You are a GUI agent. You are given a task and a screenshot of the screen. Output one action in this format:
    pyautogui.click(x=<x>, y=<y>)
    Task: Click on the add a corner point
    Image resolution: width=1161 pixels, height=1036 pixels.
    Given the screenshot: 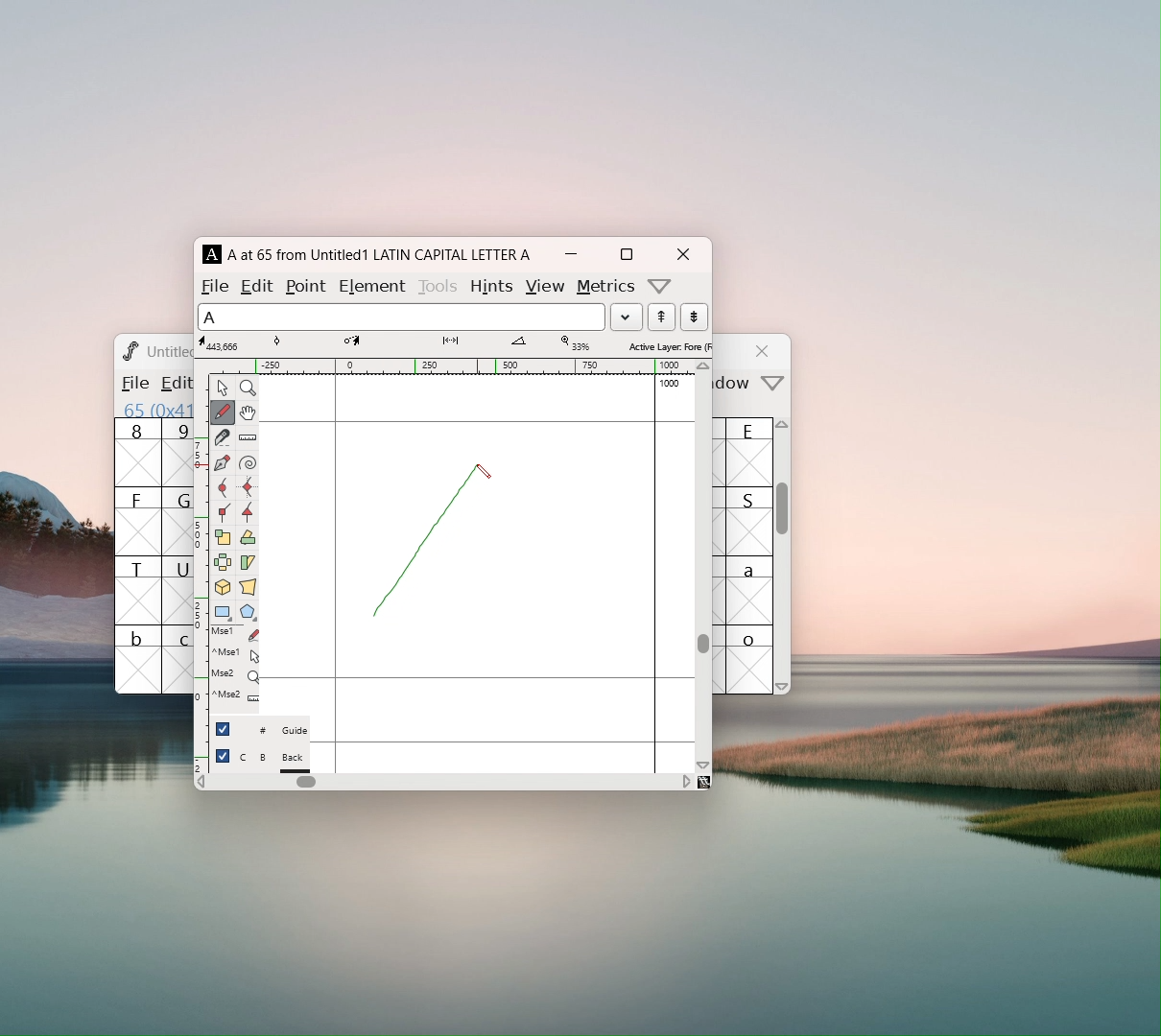 What is the action you would take?
    pyautogui.click(x=222, y=511)
    